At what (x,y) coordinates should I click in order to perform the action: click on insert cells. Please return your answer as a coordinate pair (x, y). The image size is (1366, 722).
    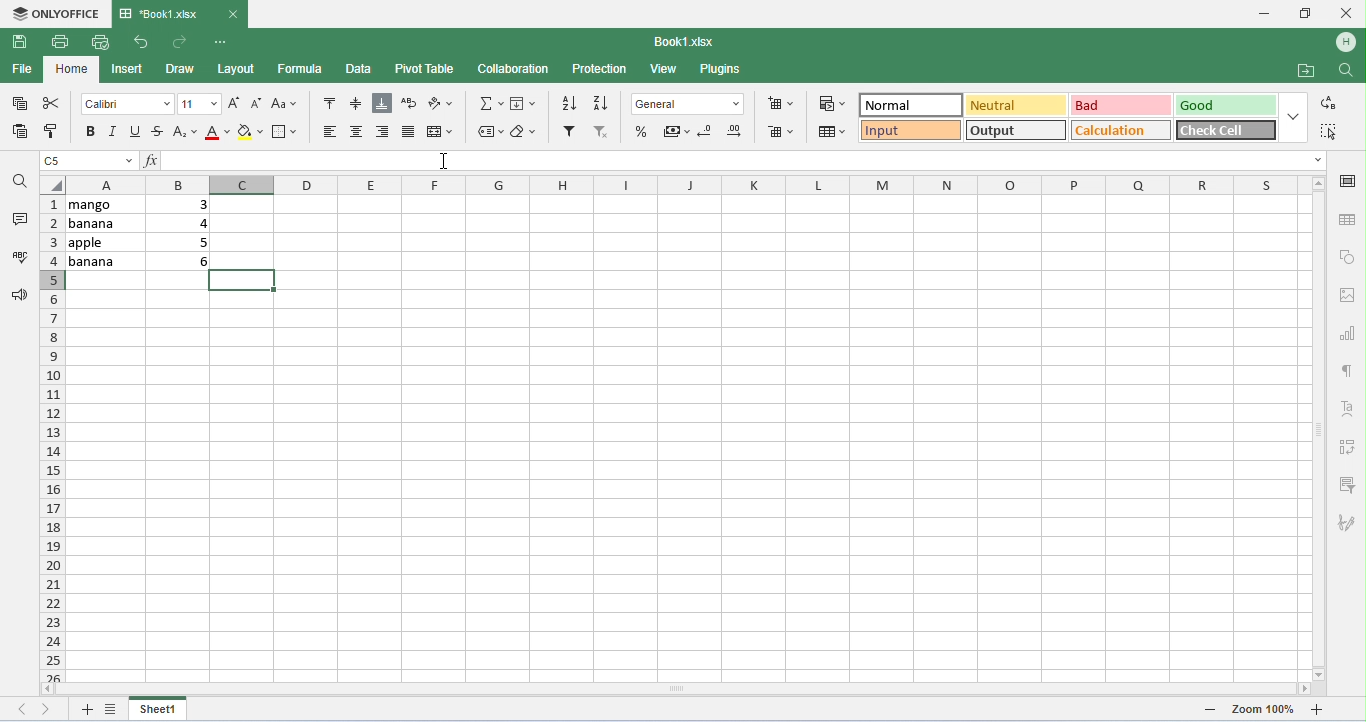
    Looking at the image, I should click on (779, 104).